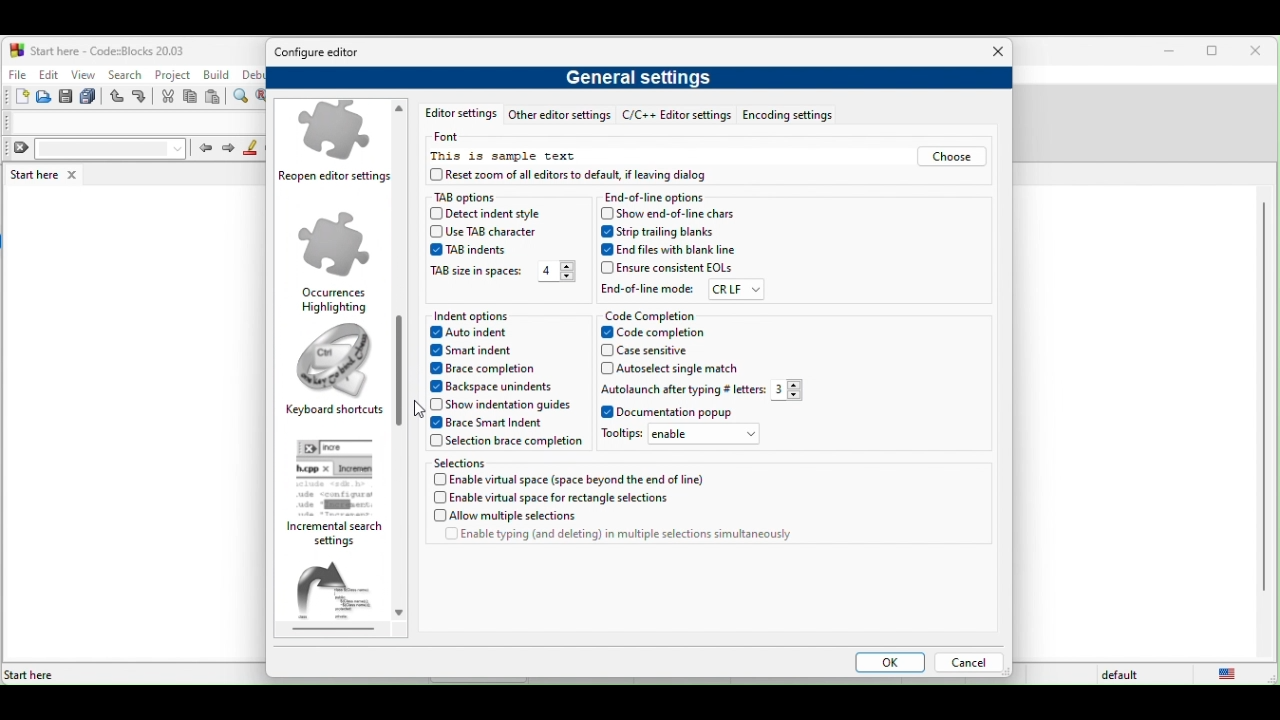 The image size is (1280, 720). What do you see at coordinates (420, 405) in the screenshot?
I see `cursor` at bounding box center [420, 405].